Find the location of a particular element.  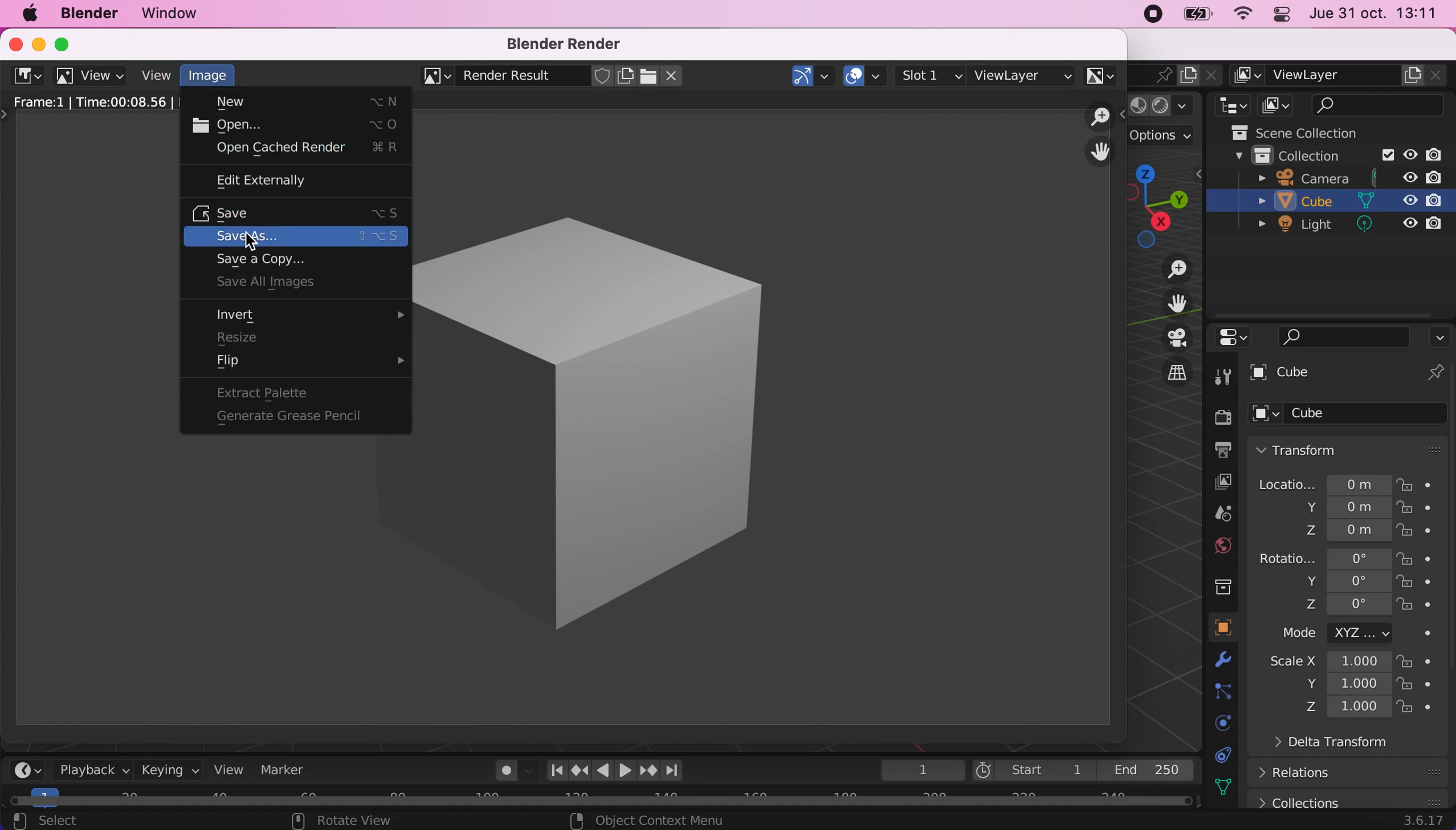

jump to next keyframe is located at coordinates (647, 770).